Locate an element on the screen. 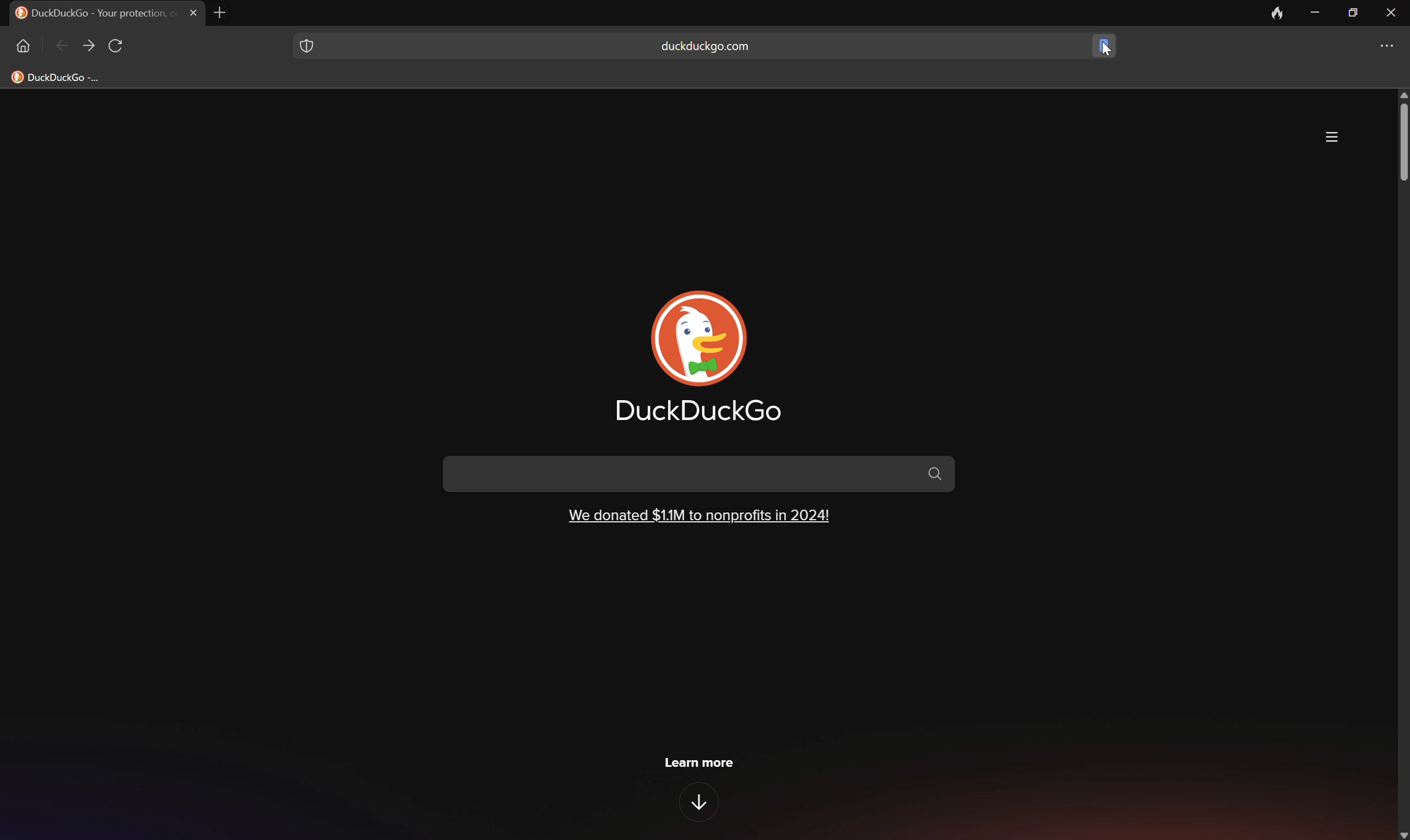 This screenshot has width=1410, height=840. Search is located at coordinates (700, 473).